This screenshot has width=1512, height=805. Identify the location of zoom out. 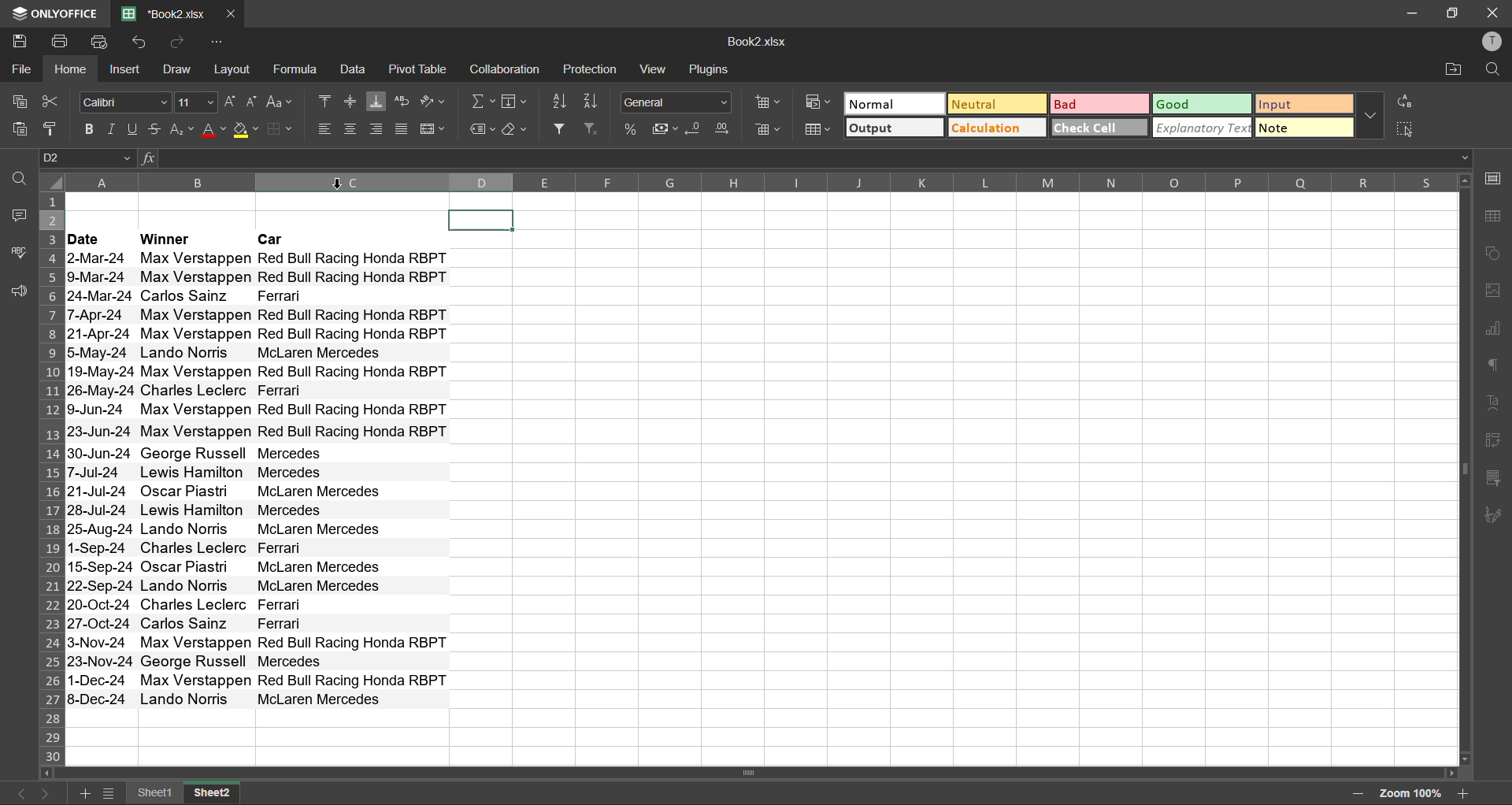
(1354, 793).